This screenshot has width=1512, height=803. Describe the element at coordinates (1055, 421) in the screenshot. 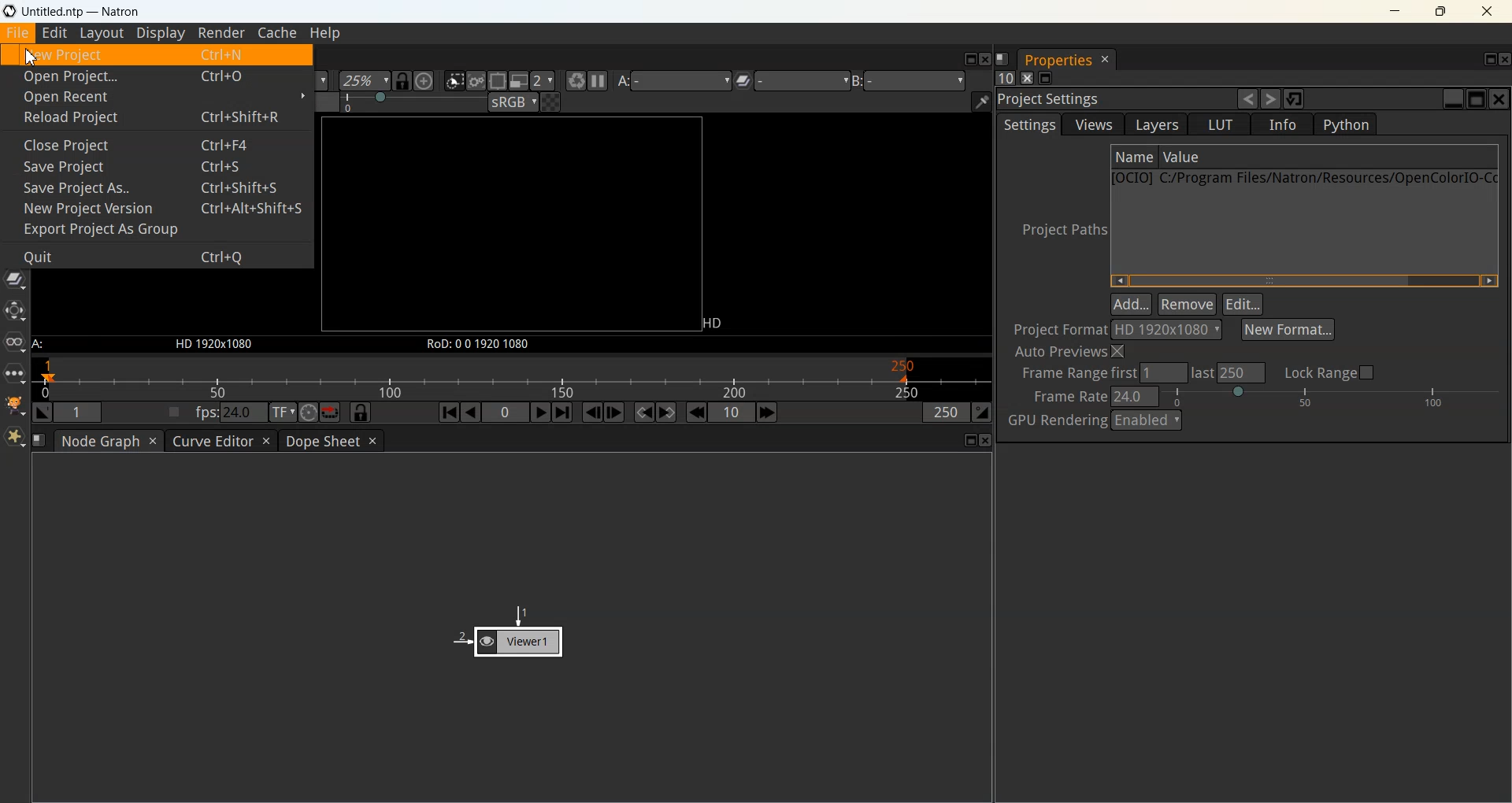

I see `GPU Rendering` at that location.